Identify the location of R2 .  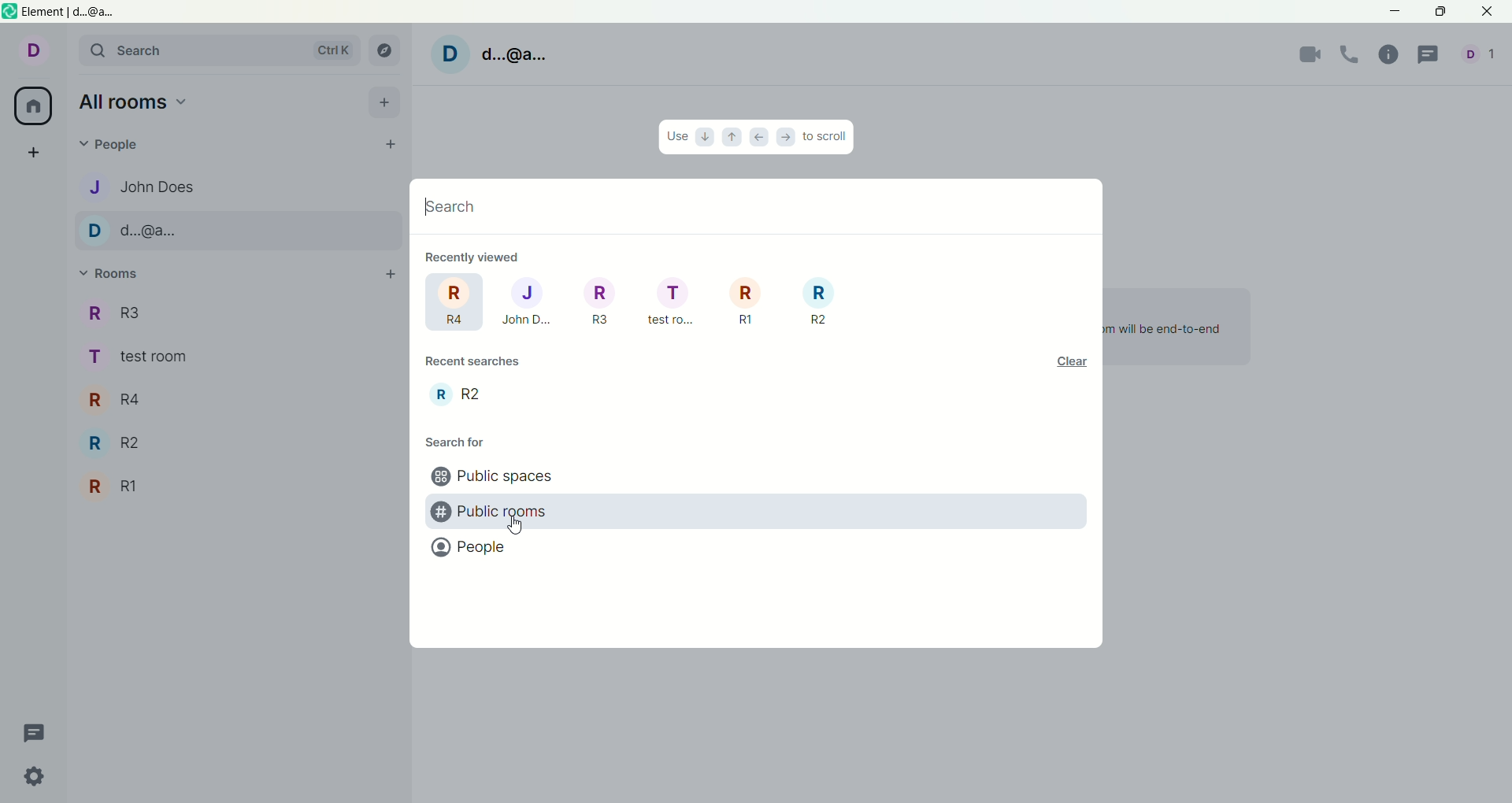
(238, 442).